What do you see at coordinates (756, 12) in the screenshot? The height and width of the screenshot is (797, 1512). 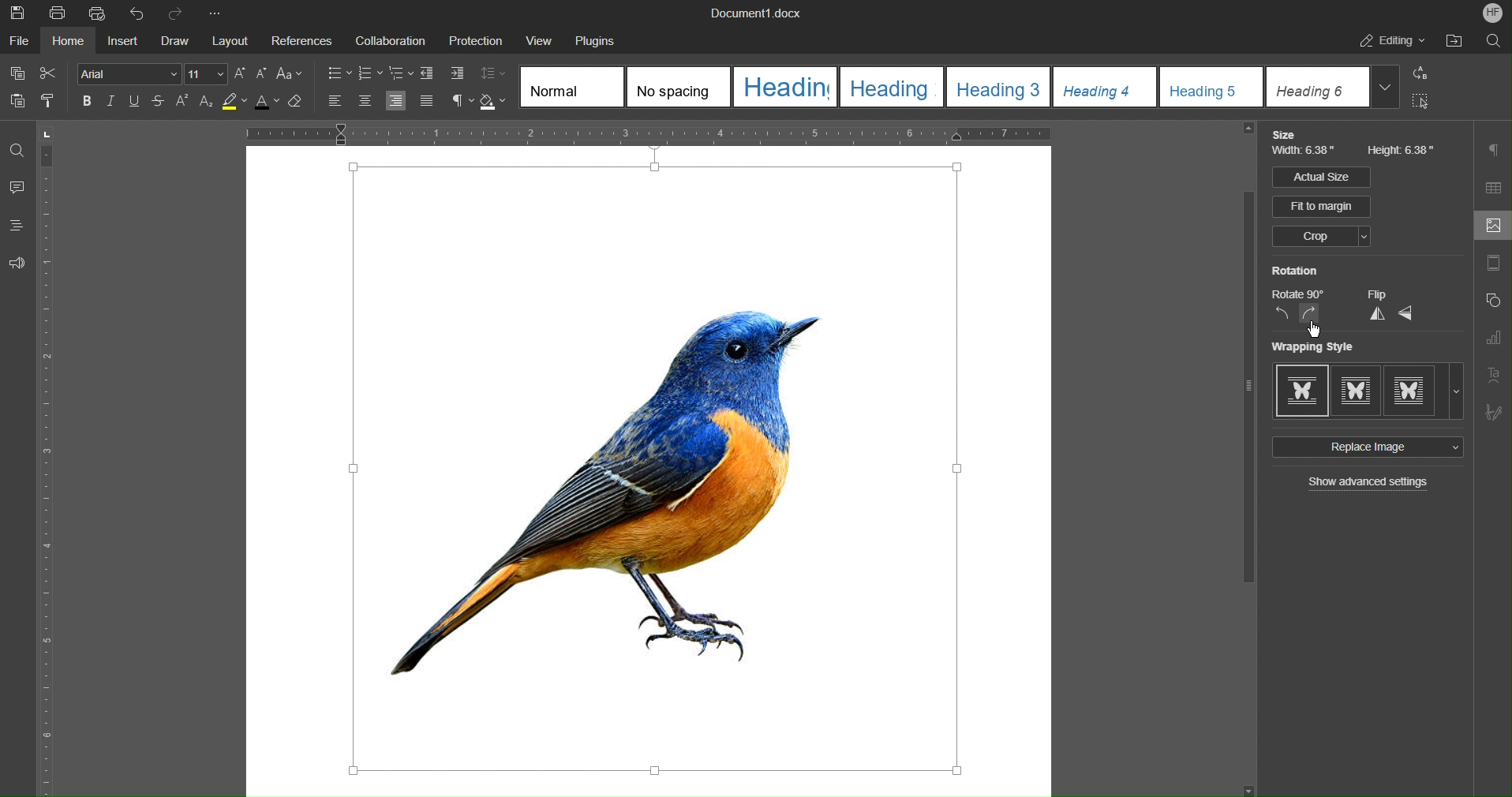 I see `Document1.docx` at bounding box center [756, 12].